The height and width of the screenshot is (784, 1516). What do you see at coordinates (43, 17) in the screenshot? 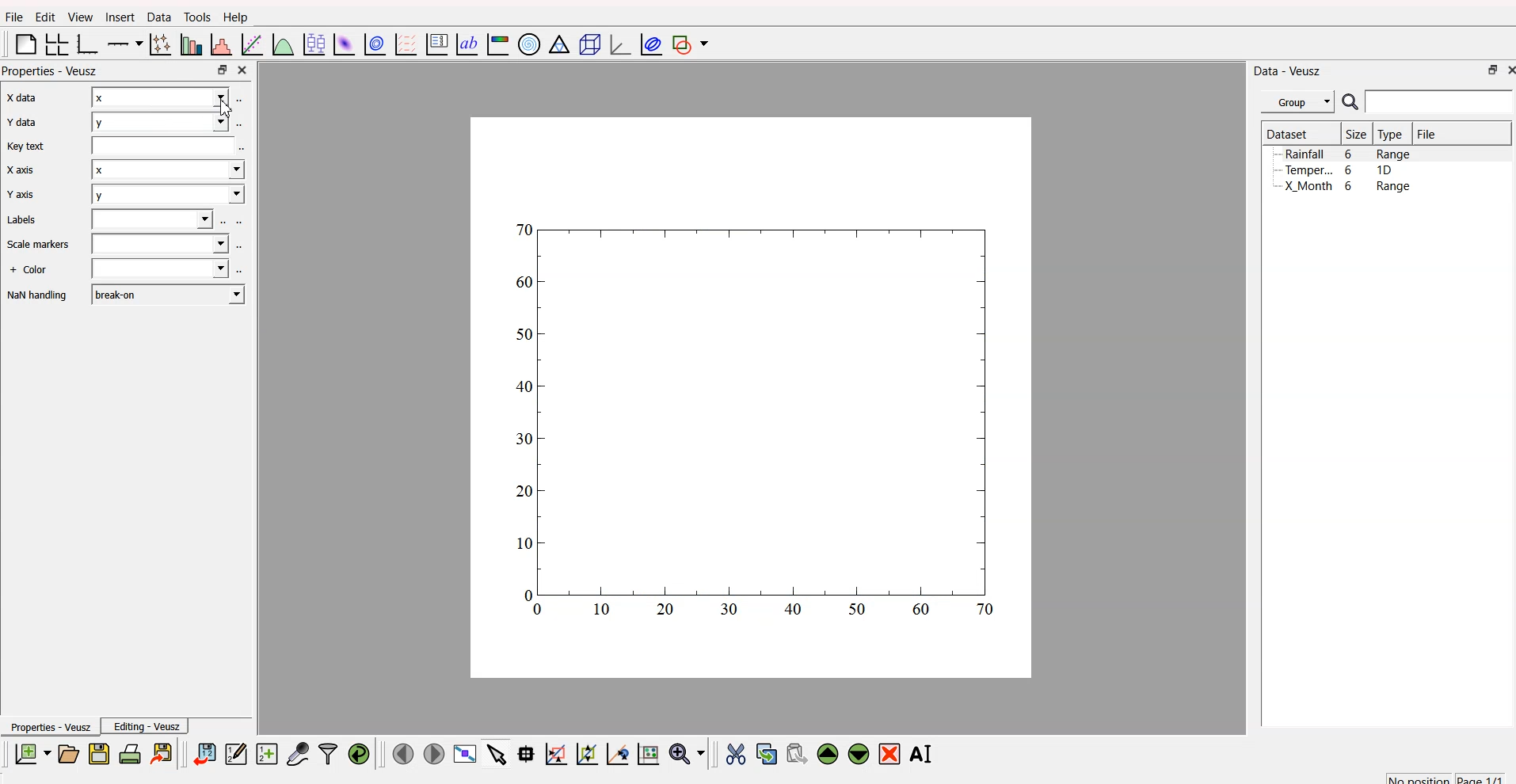
I see `Edit` at bounding box center [43, 17].